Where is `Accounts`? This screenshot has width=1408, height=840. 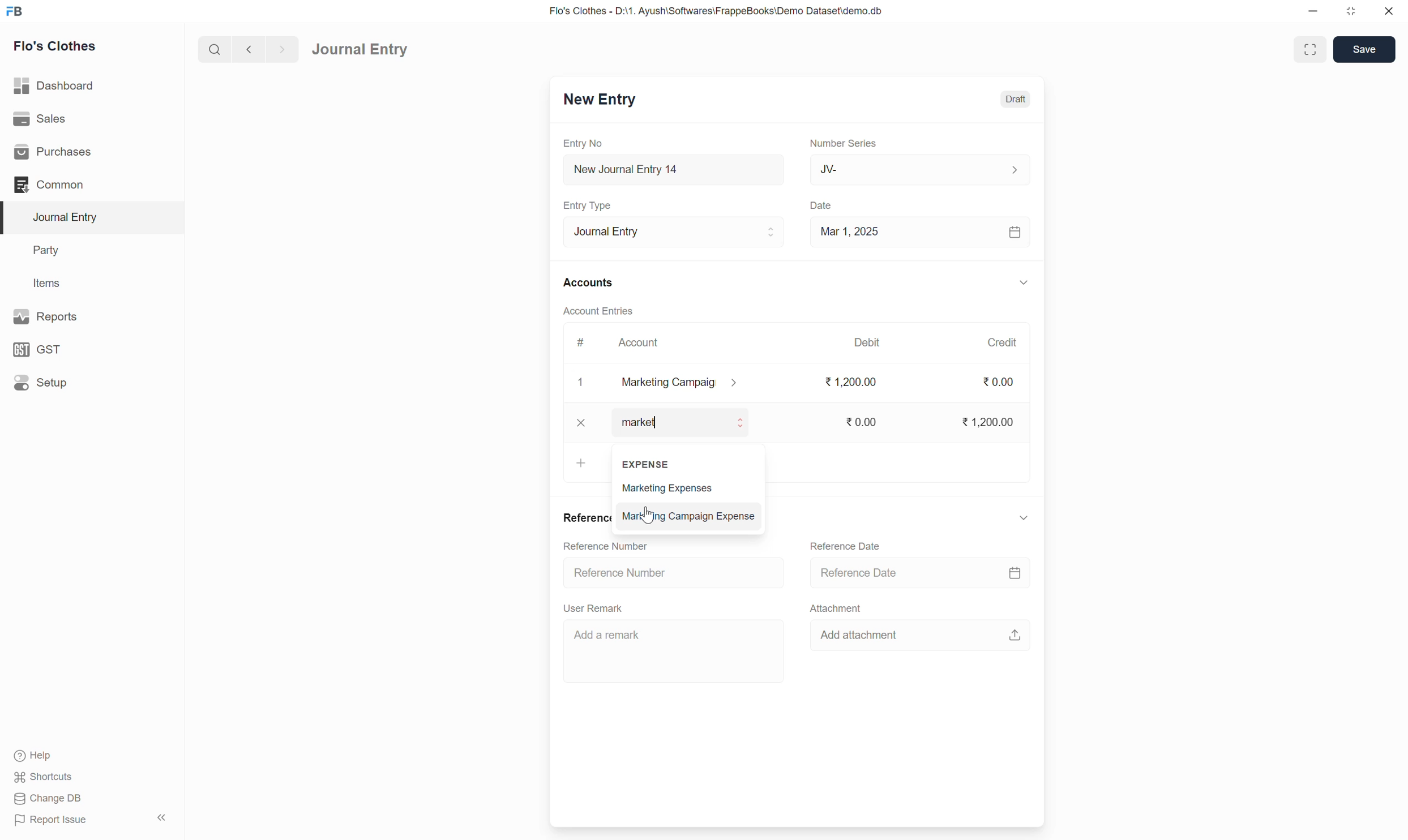 Accounts is located at coordinates (590, 281).